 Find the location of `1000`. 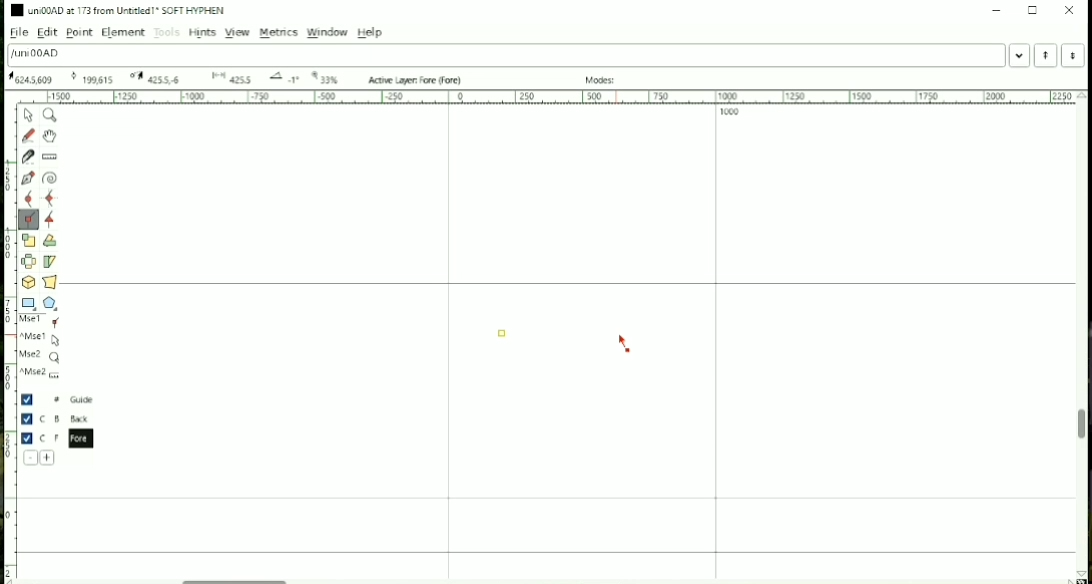

1000 is located at coordinates (729, 113).